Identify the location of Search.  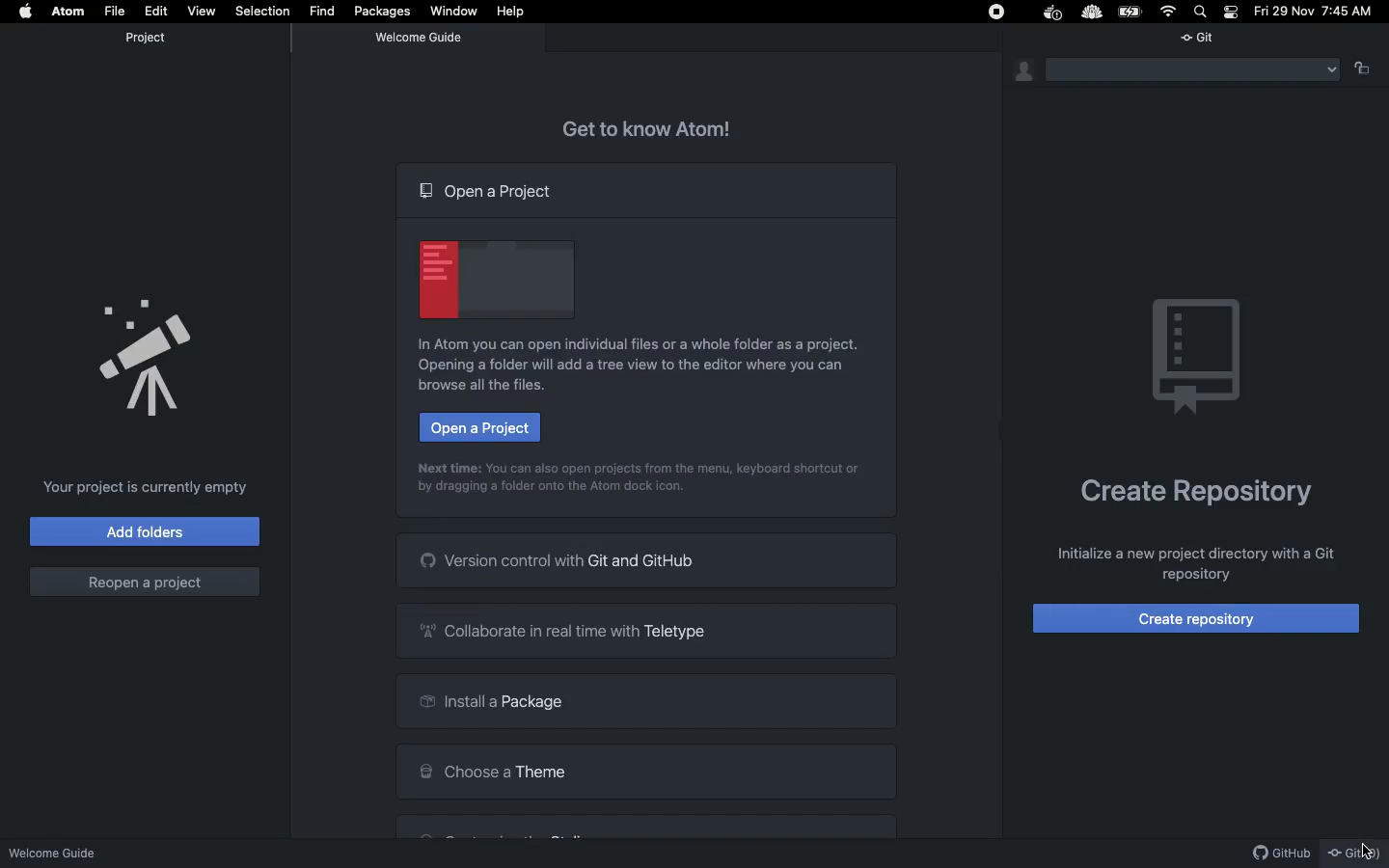
(1202, 11).